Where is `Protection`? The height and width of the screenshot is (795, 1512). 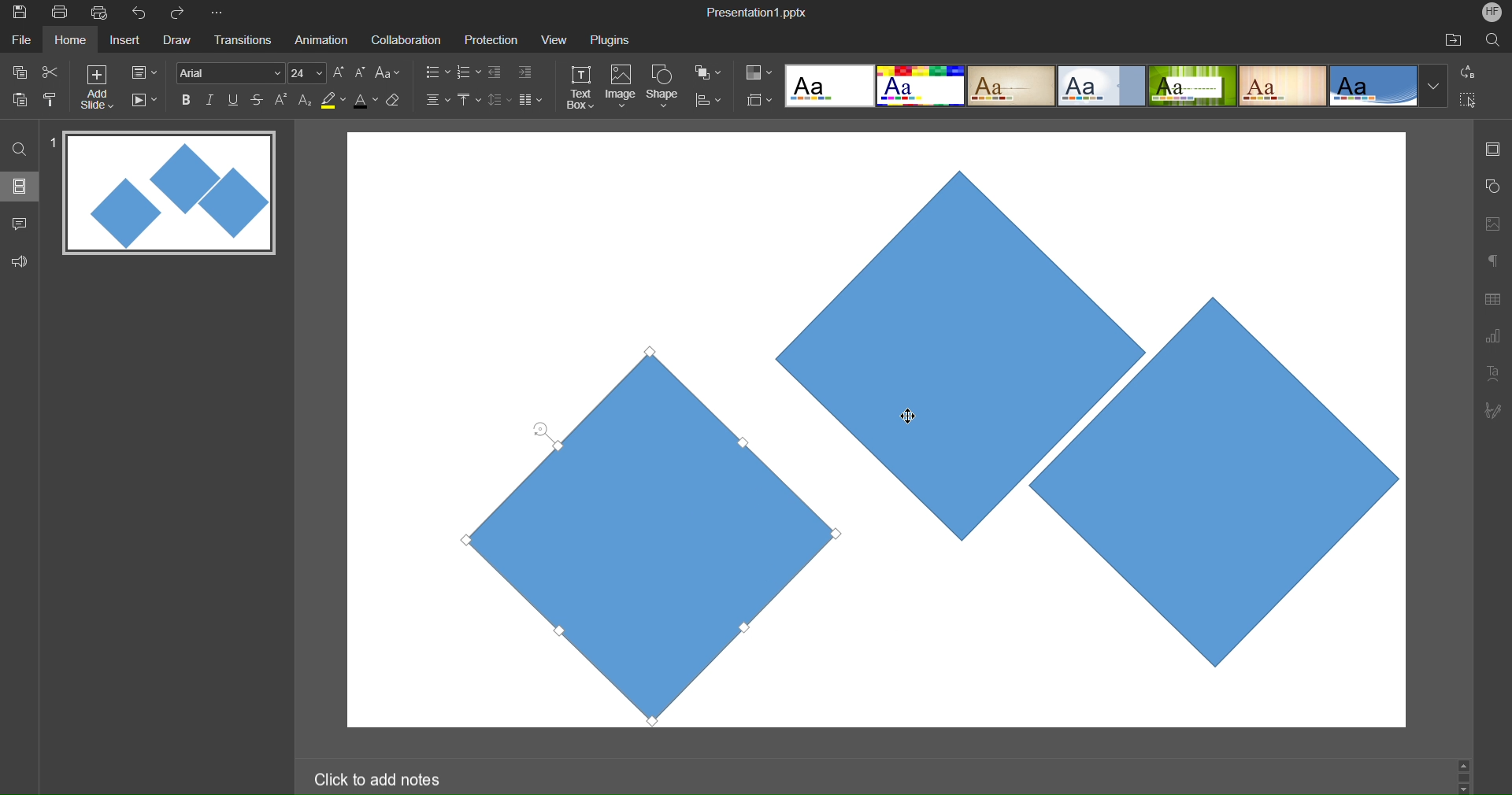 Protection is located at coordinates (484, 39).